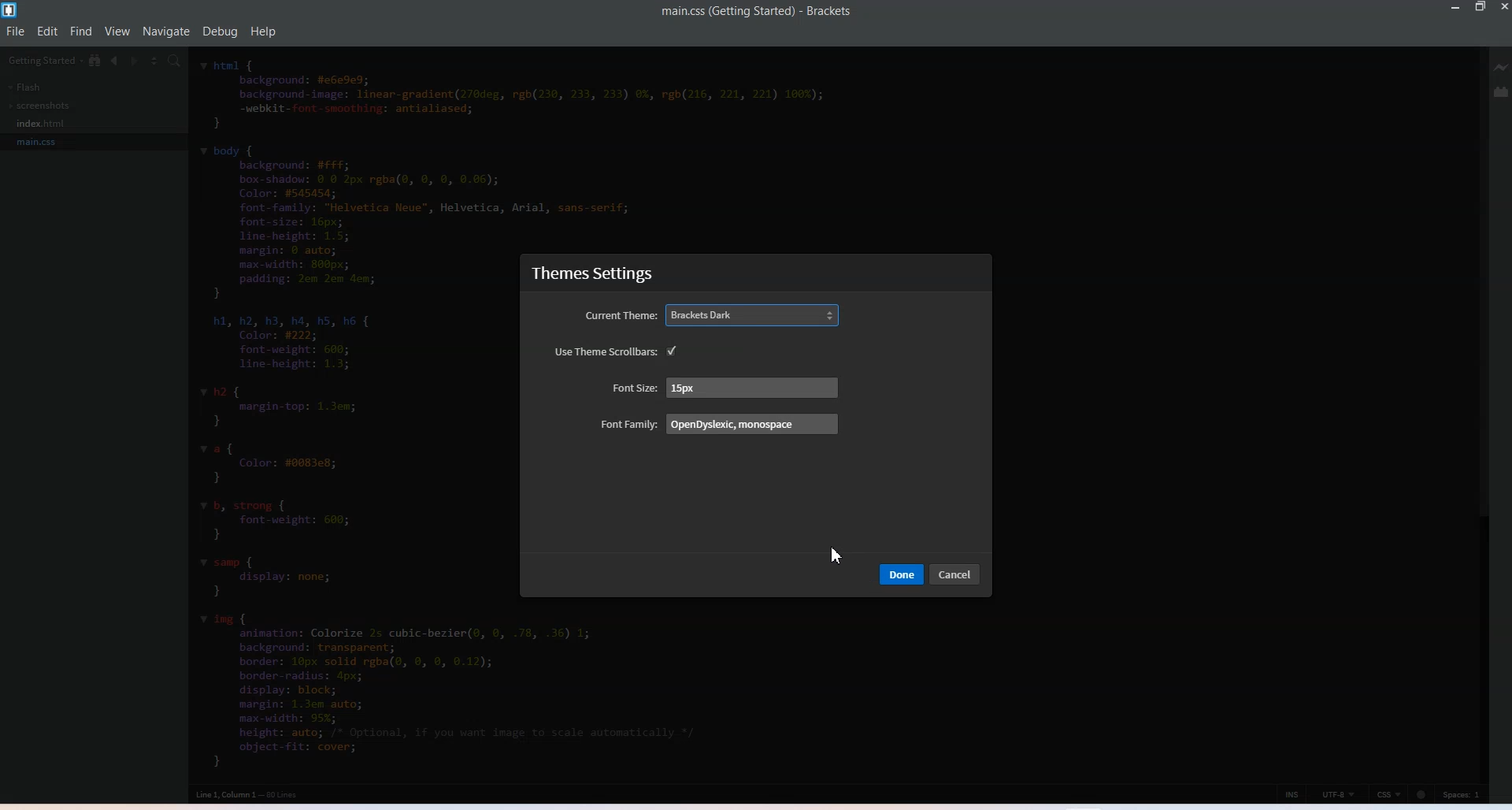  I want to click on Live preview, so click(1503, 66).